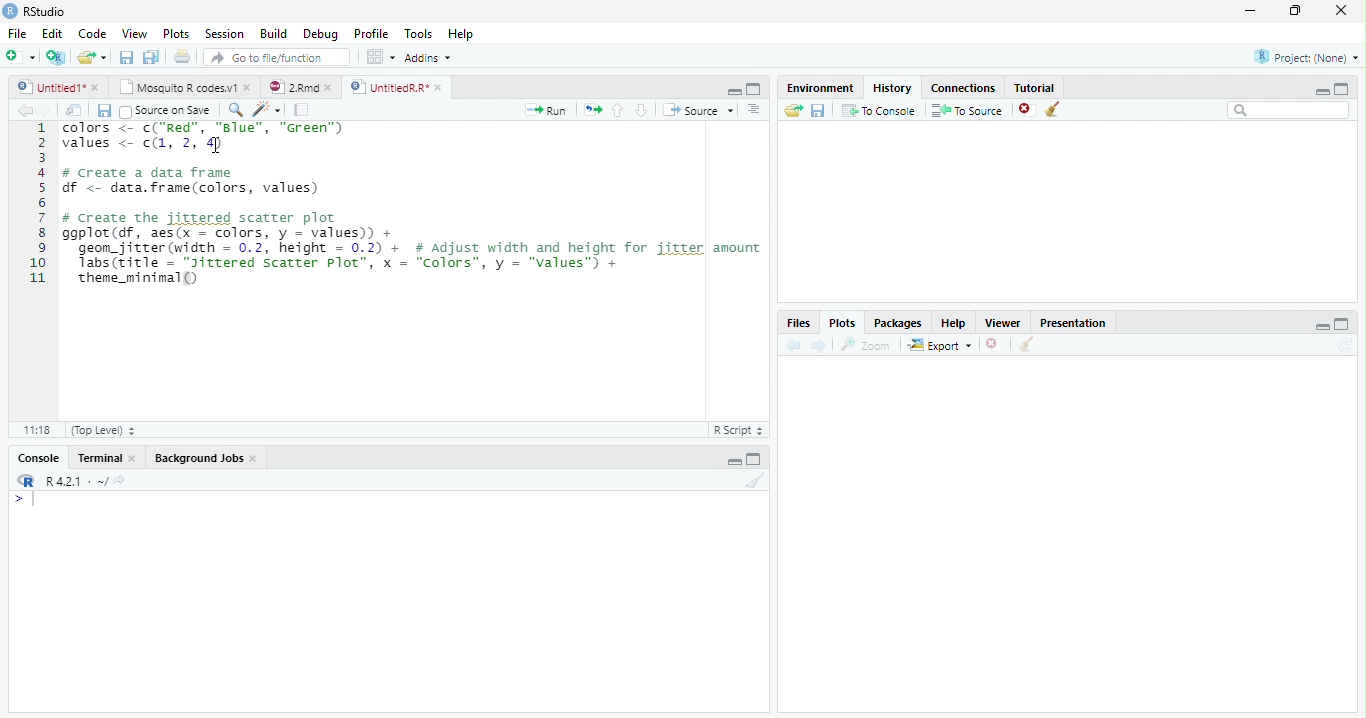 The height and width of the screenshot is (718, 1366). Describe the element at coordinates (1342, 324) in the screenshot. I see `Maximize` at that location.